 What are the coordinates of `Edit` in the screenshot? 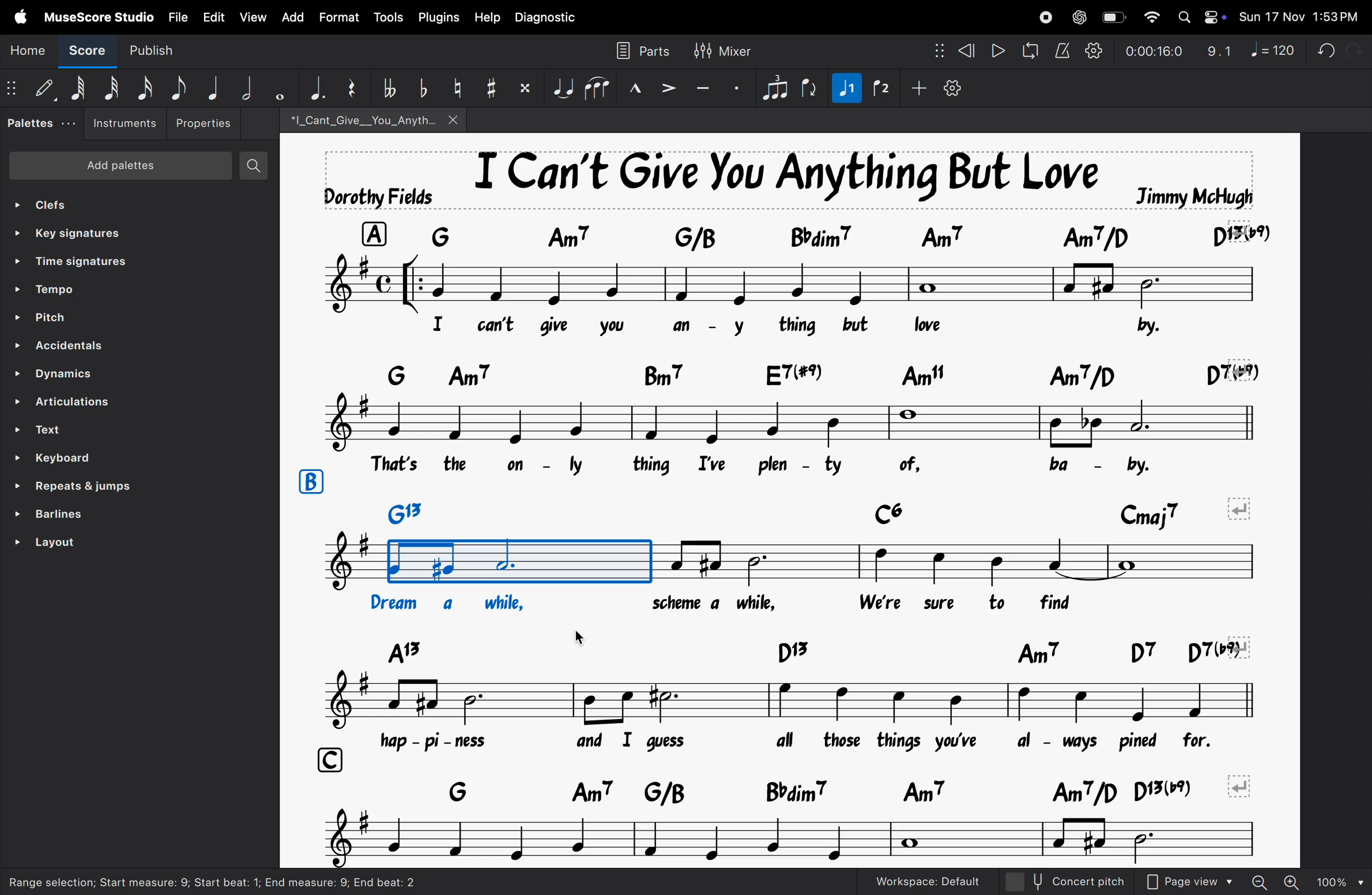 It's located at (214, 16).